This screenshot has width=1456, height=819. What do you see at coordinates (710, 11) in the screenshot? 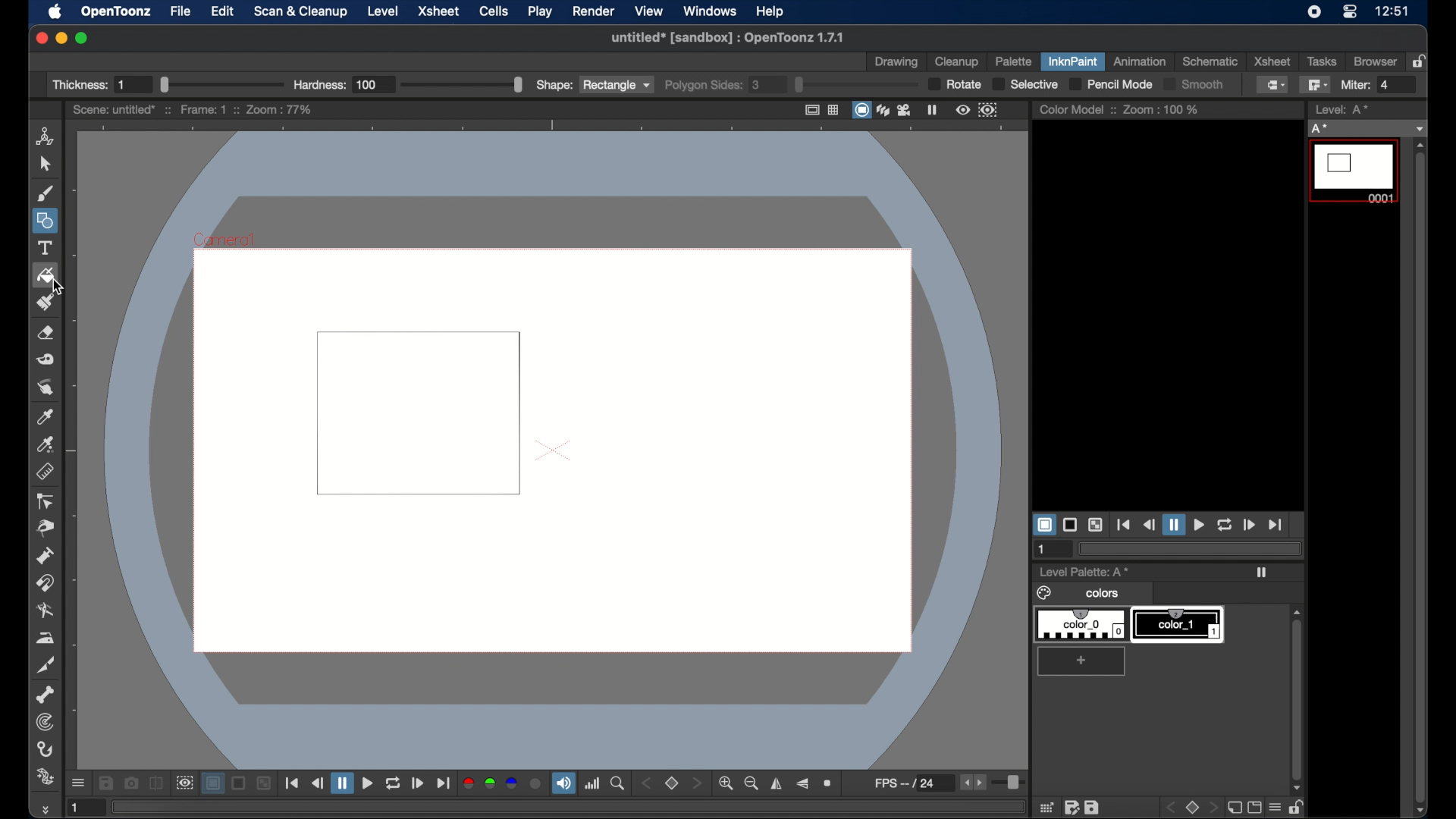
I see `windows` at bounding box center [710, 11].